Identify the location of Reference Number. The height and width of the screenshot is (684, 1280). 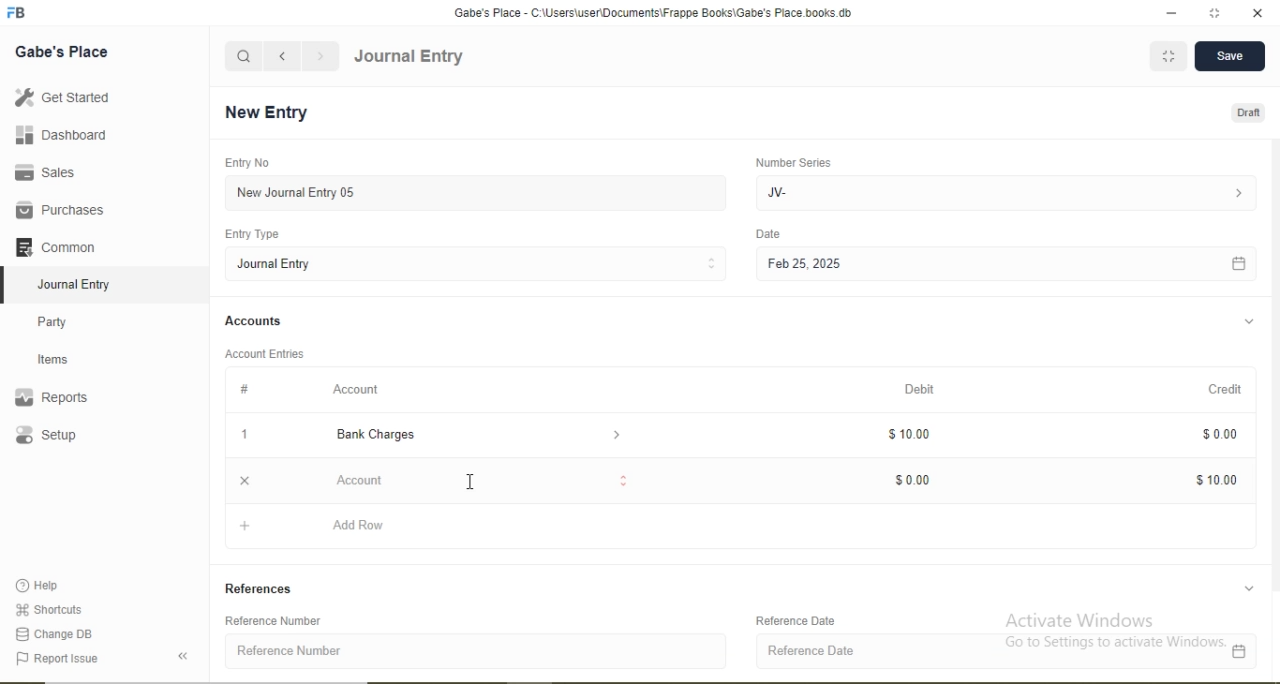
(478, 651).